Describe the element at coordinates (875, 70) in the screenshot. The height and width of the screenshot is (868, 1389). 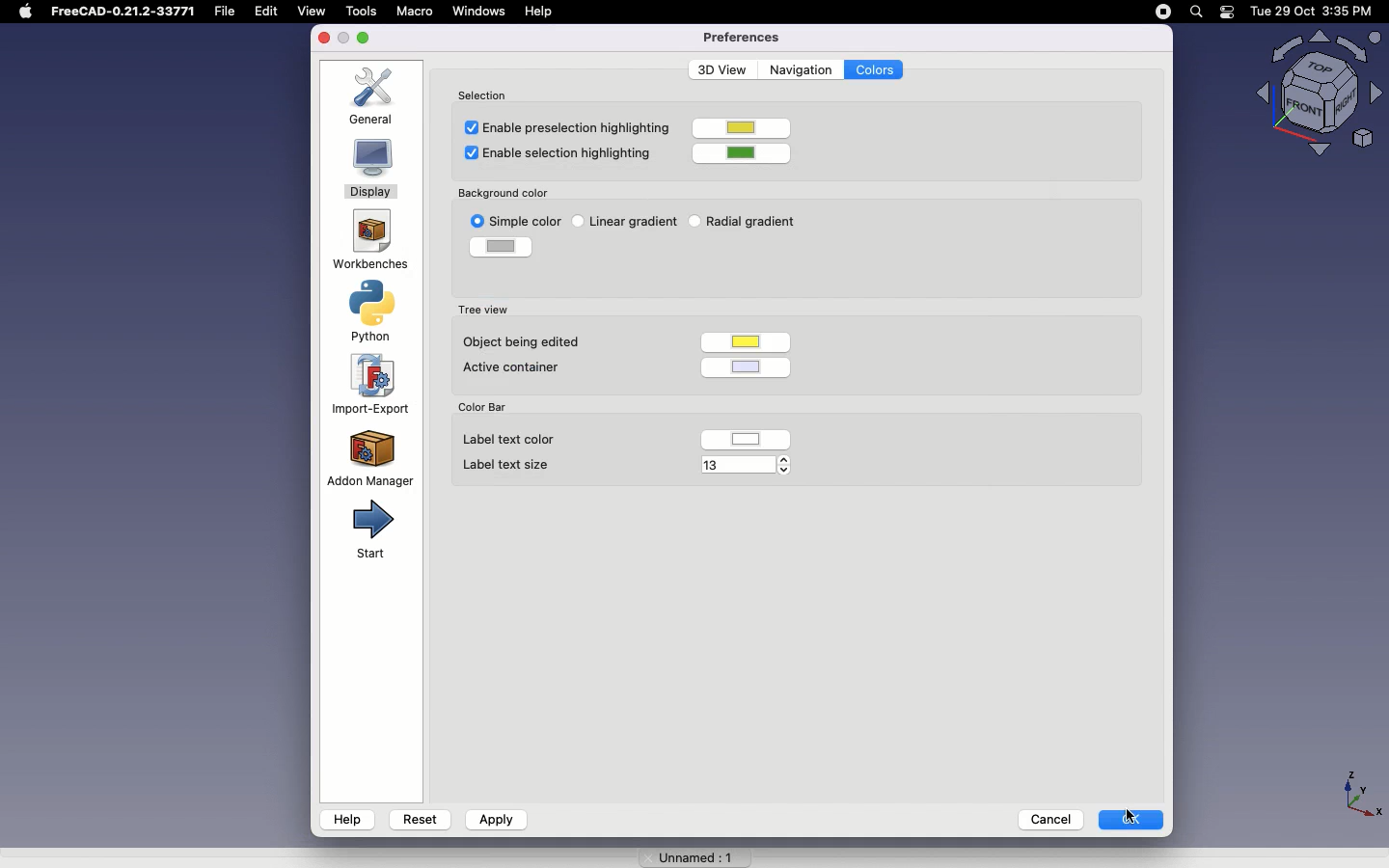
I see `Colors` at that location.